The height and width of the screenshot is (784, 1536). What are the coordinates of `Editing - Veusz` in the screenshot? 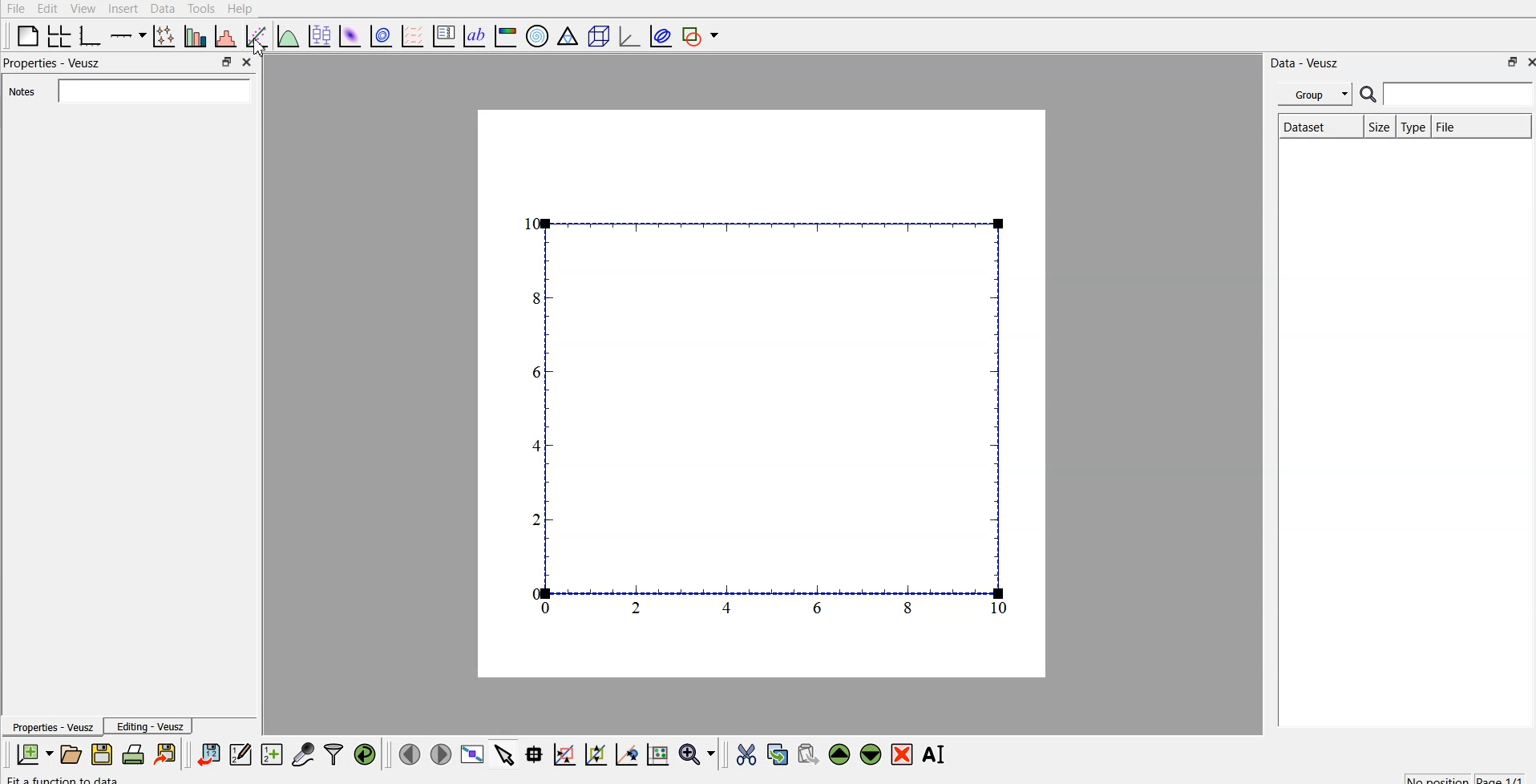 It's located at (155, 725).